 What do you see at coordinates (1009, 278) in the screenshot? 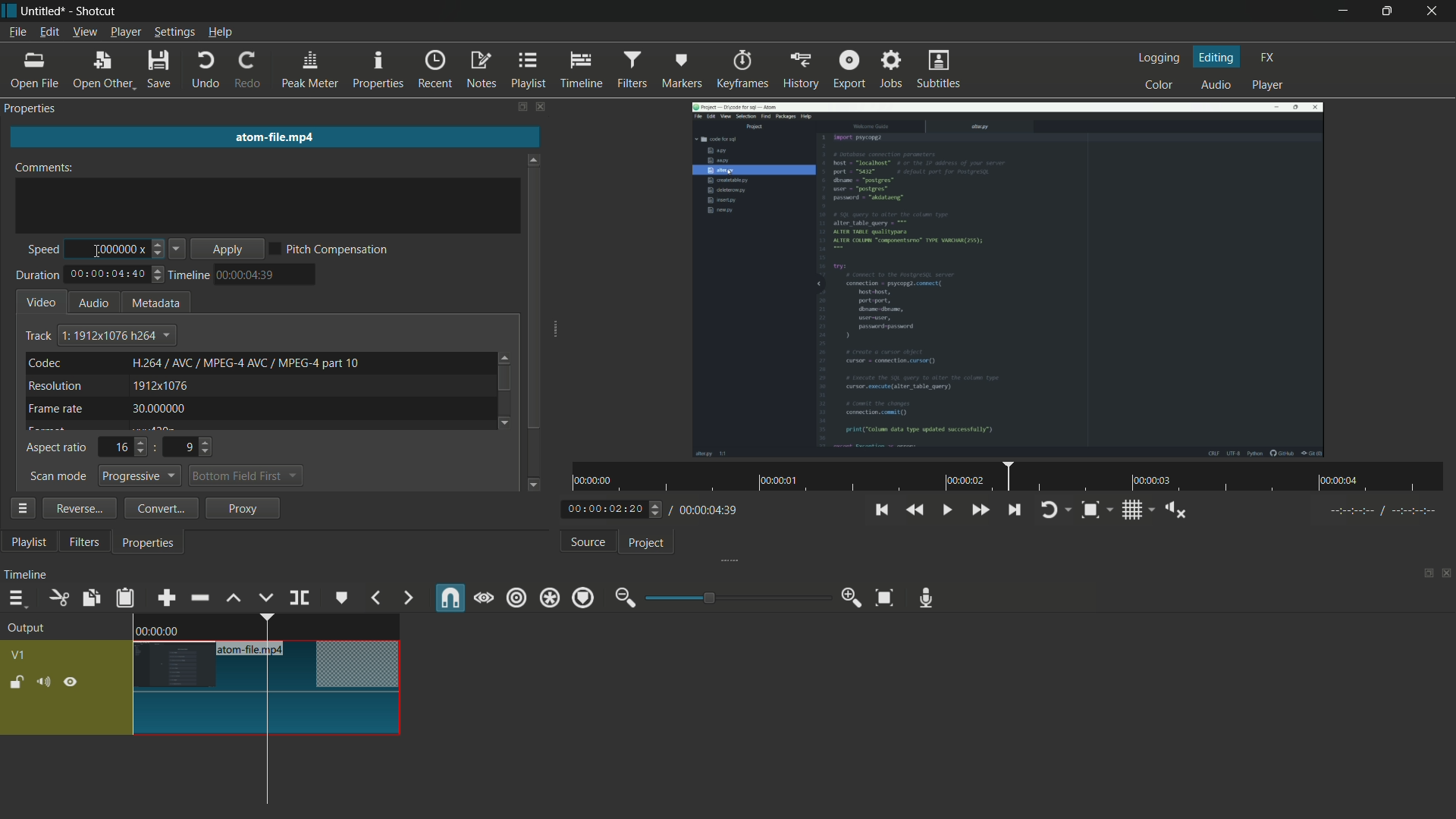
I see `imported video` at bounding box center [1009, 278].